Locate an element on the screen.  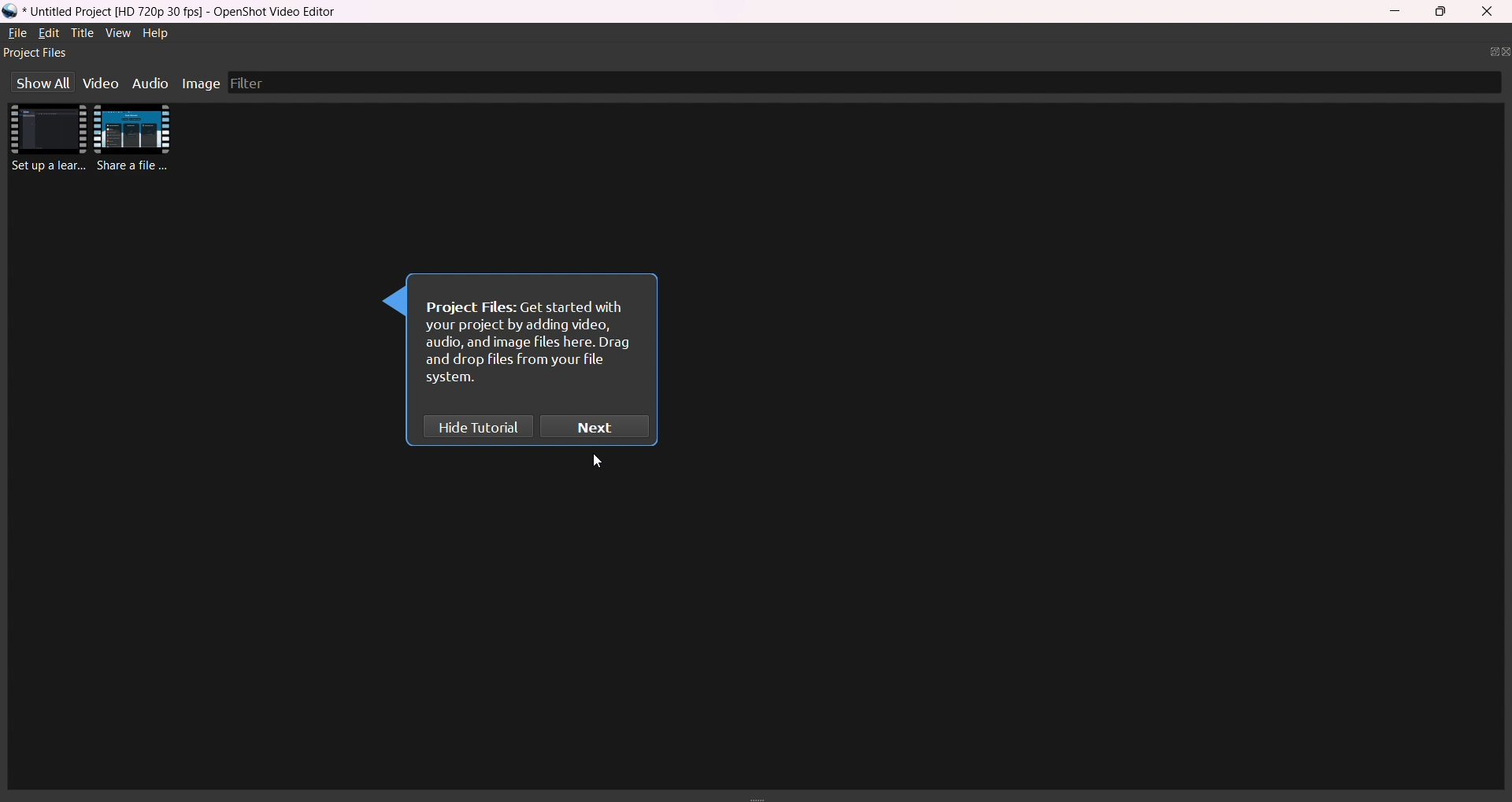
next is located at coordinates (594, 426).